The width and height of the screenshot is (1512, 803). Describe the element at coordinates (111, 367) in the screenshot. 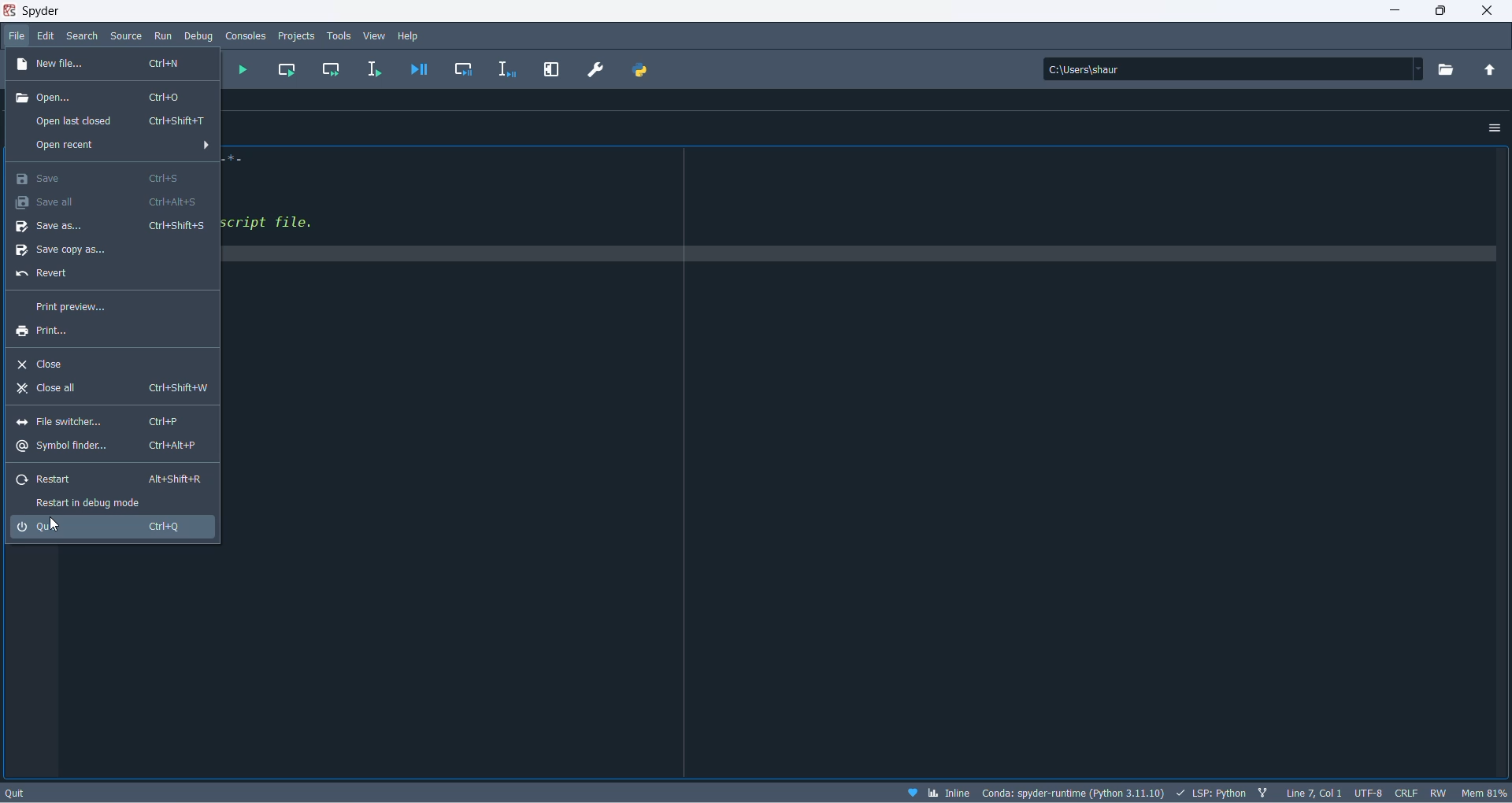

I see `close` at that location.